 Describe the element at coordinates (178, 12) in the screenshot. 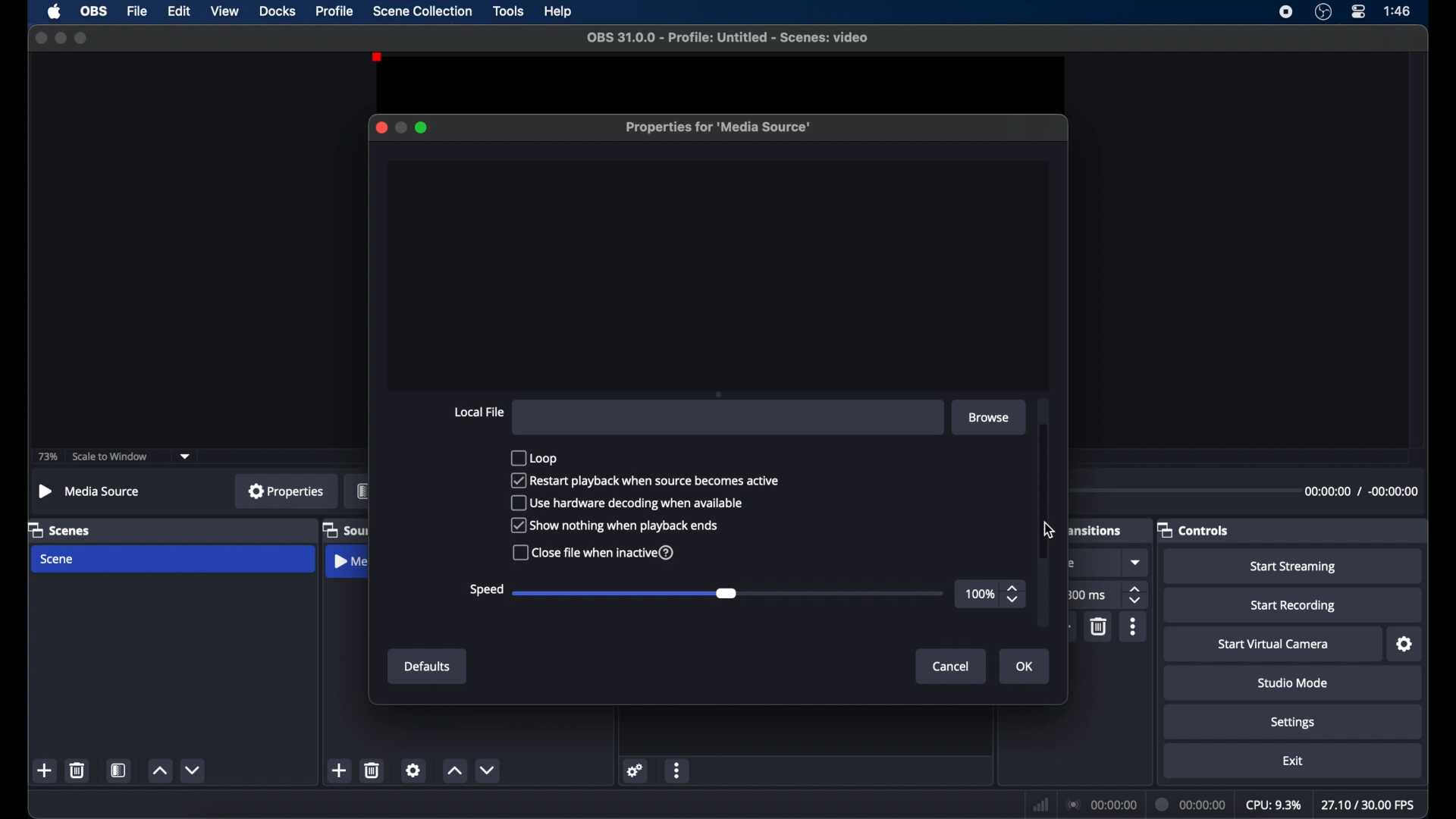

I see `edit` at that location.